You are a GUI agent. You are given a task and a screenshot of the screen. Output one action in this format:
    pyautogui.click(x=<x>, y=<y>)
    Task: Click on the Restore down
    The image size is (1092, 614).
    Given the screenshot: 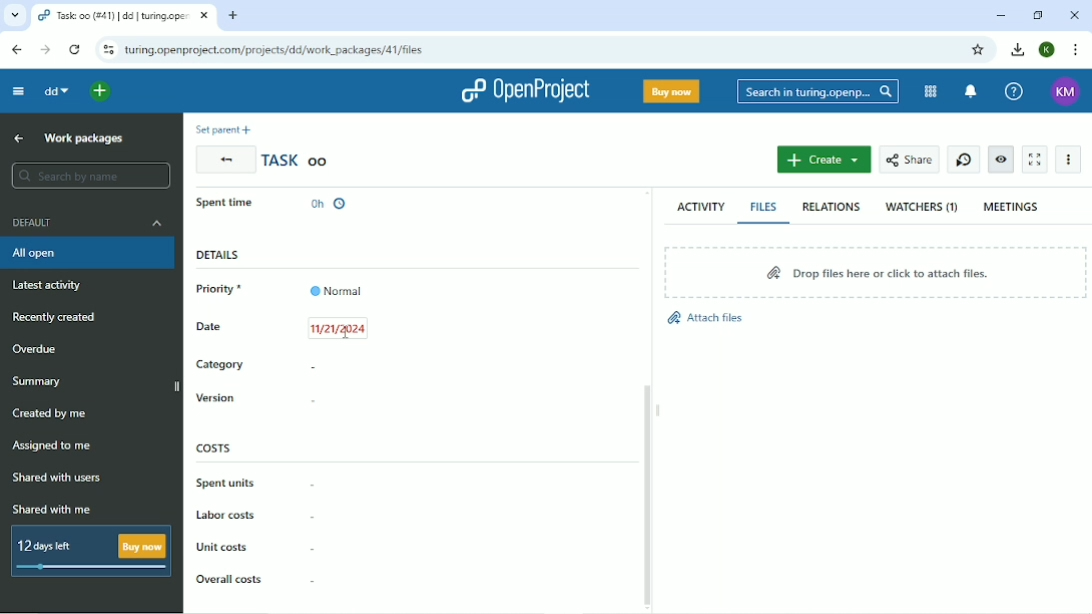 What is the action you would take?
    pyautogui.click(x=1037, y=15)
    